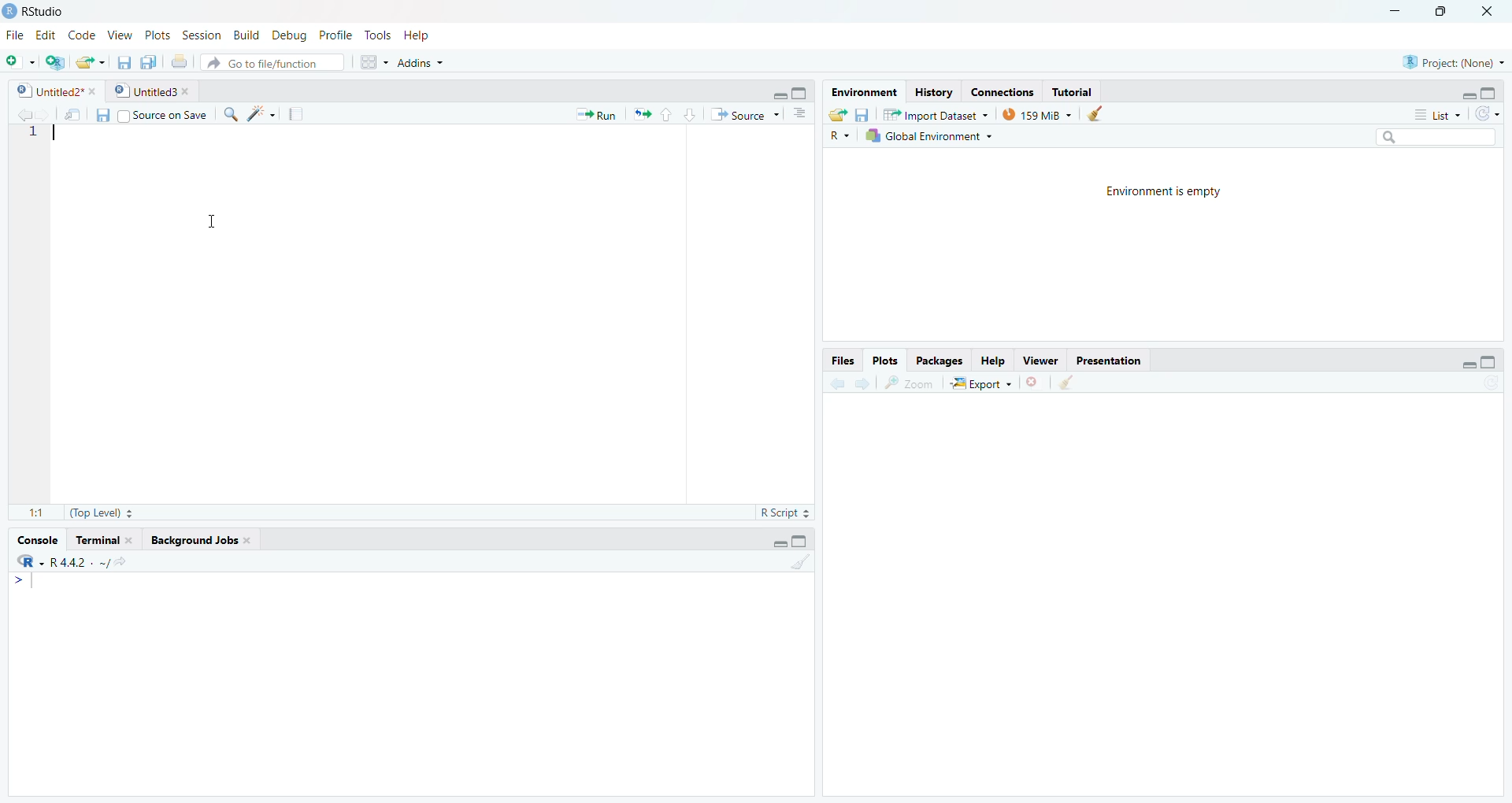  What do you see at coordinates (202, 37) in the screenshot?
I see `Session` at bounding box center [202, 37].